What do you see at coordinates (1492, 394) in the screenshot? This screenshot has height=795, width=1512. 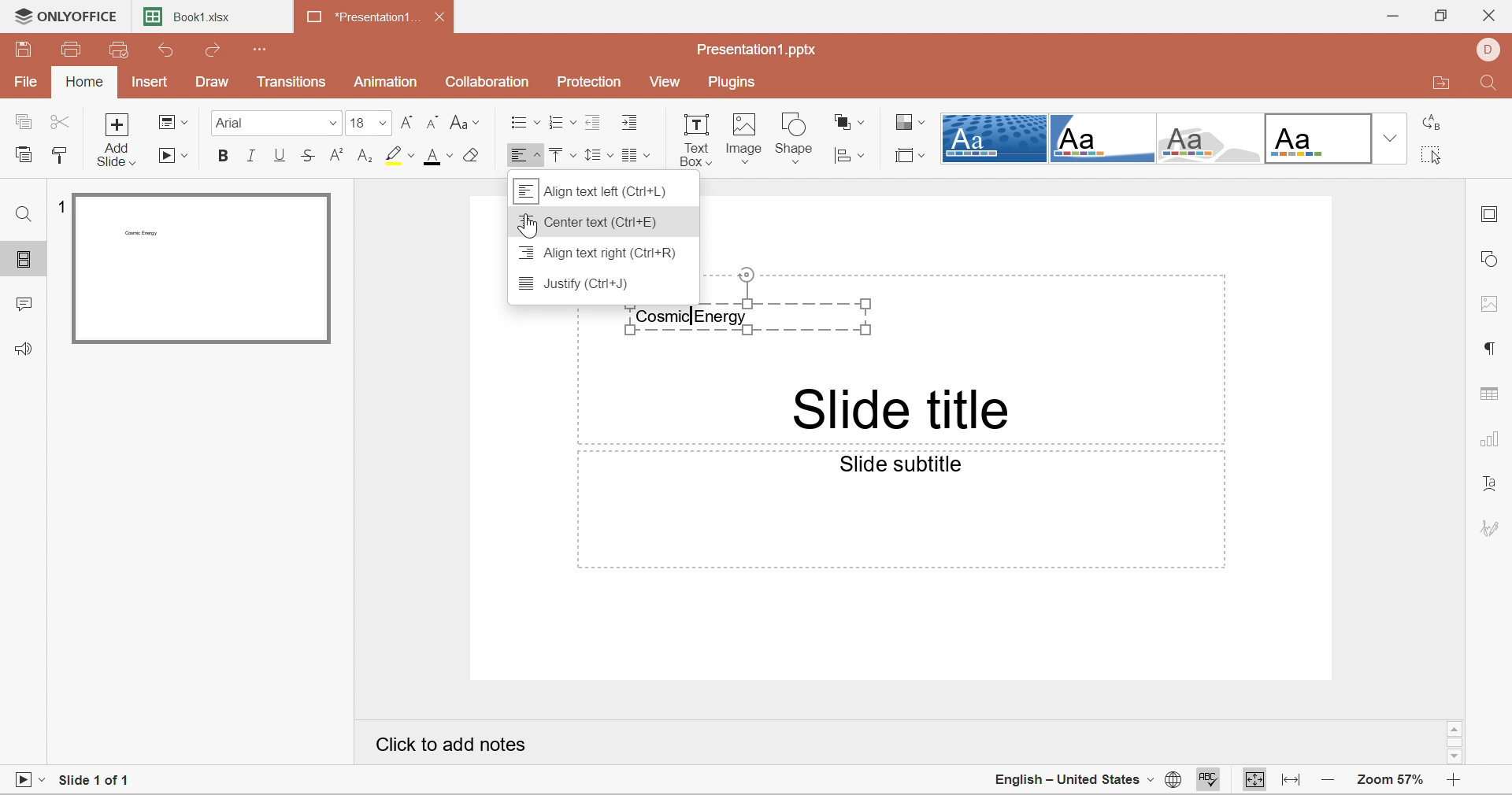 I see `Table settings` at bounding box center [1492, 394].